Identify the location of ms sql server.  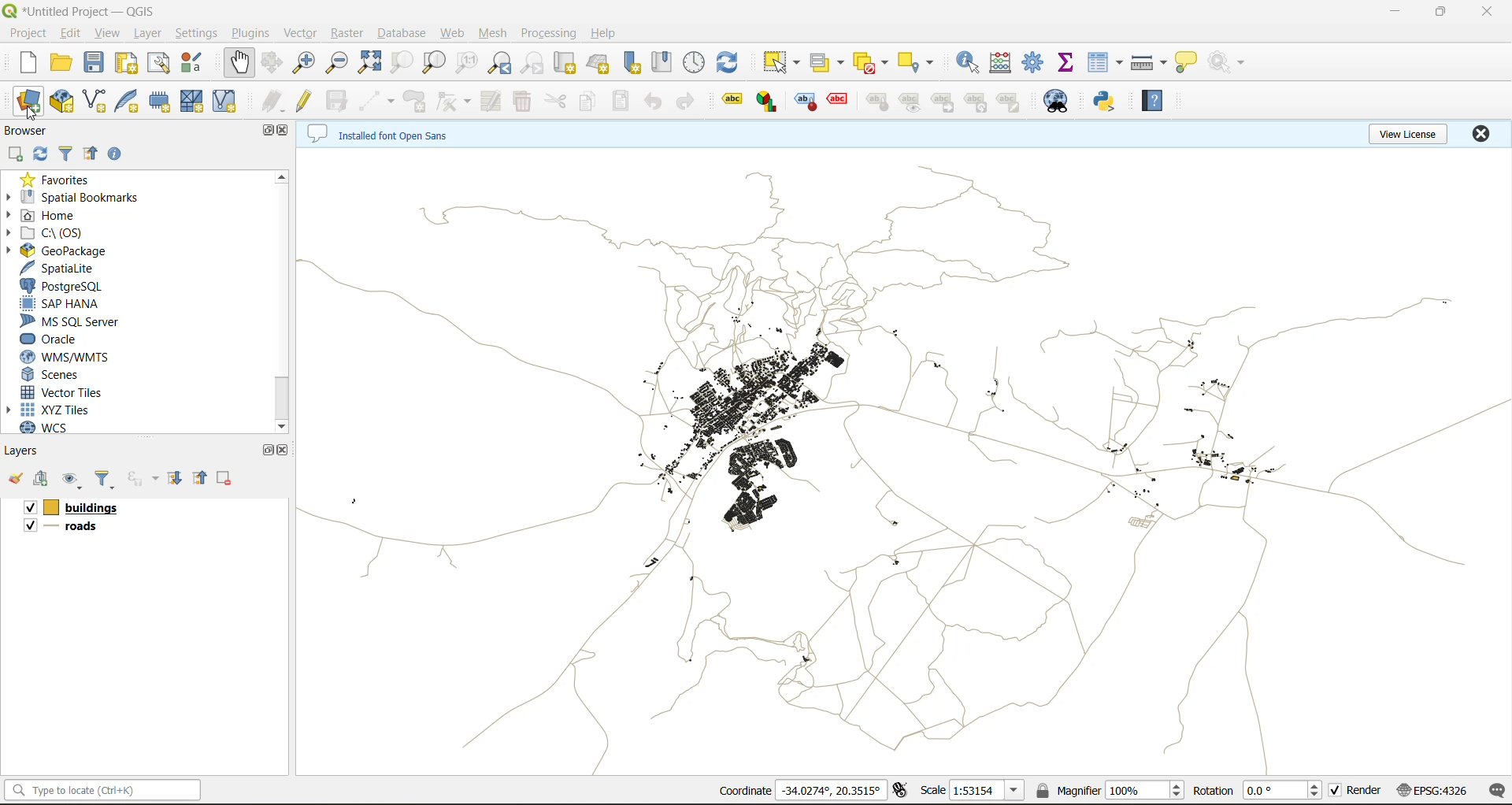
(76, 321).